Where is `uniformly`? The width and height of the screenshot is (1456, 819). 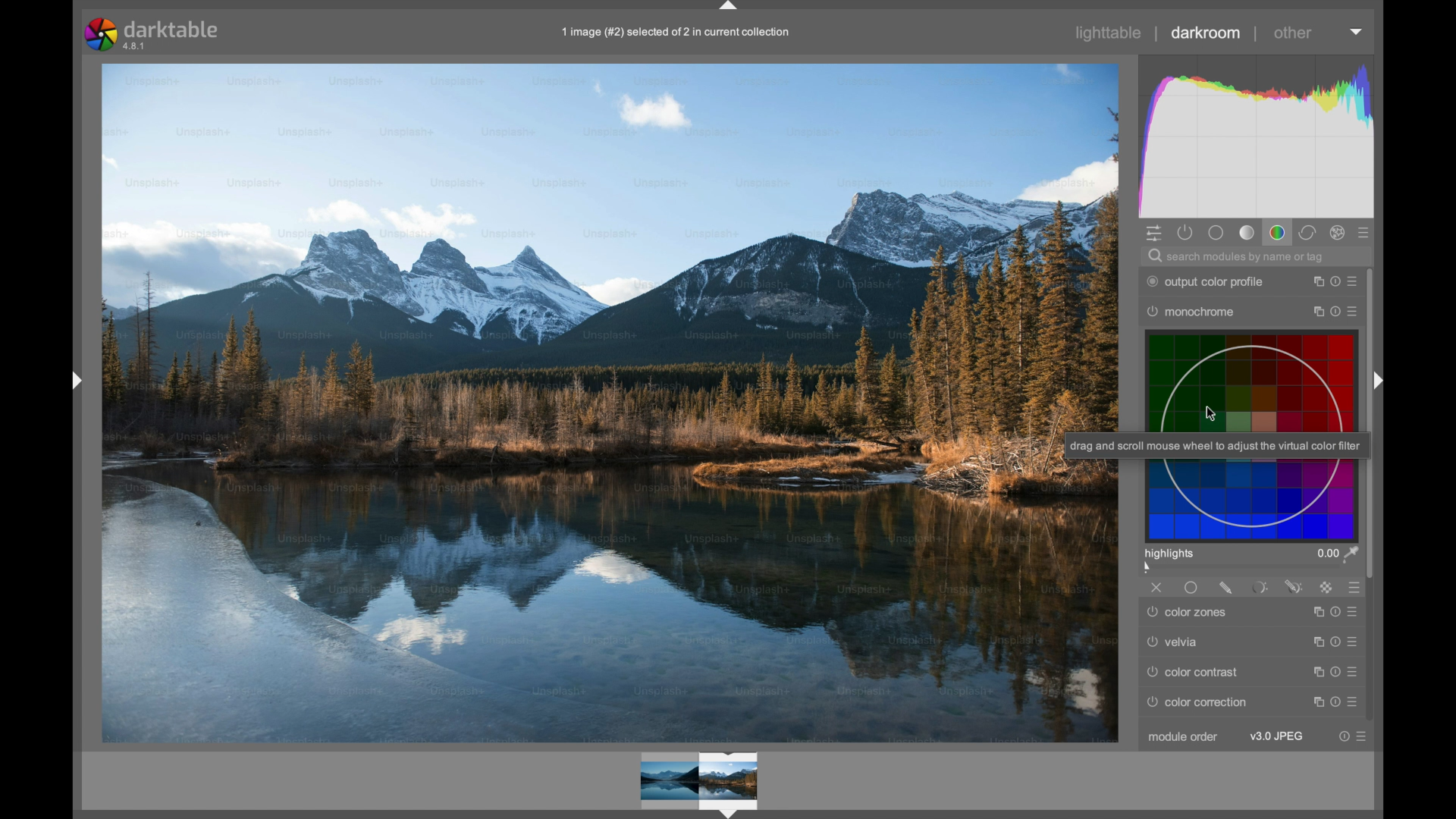
uniformly is located at coordinates (1191, 588).